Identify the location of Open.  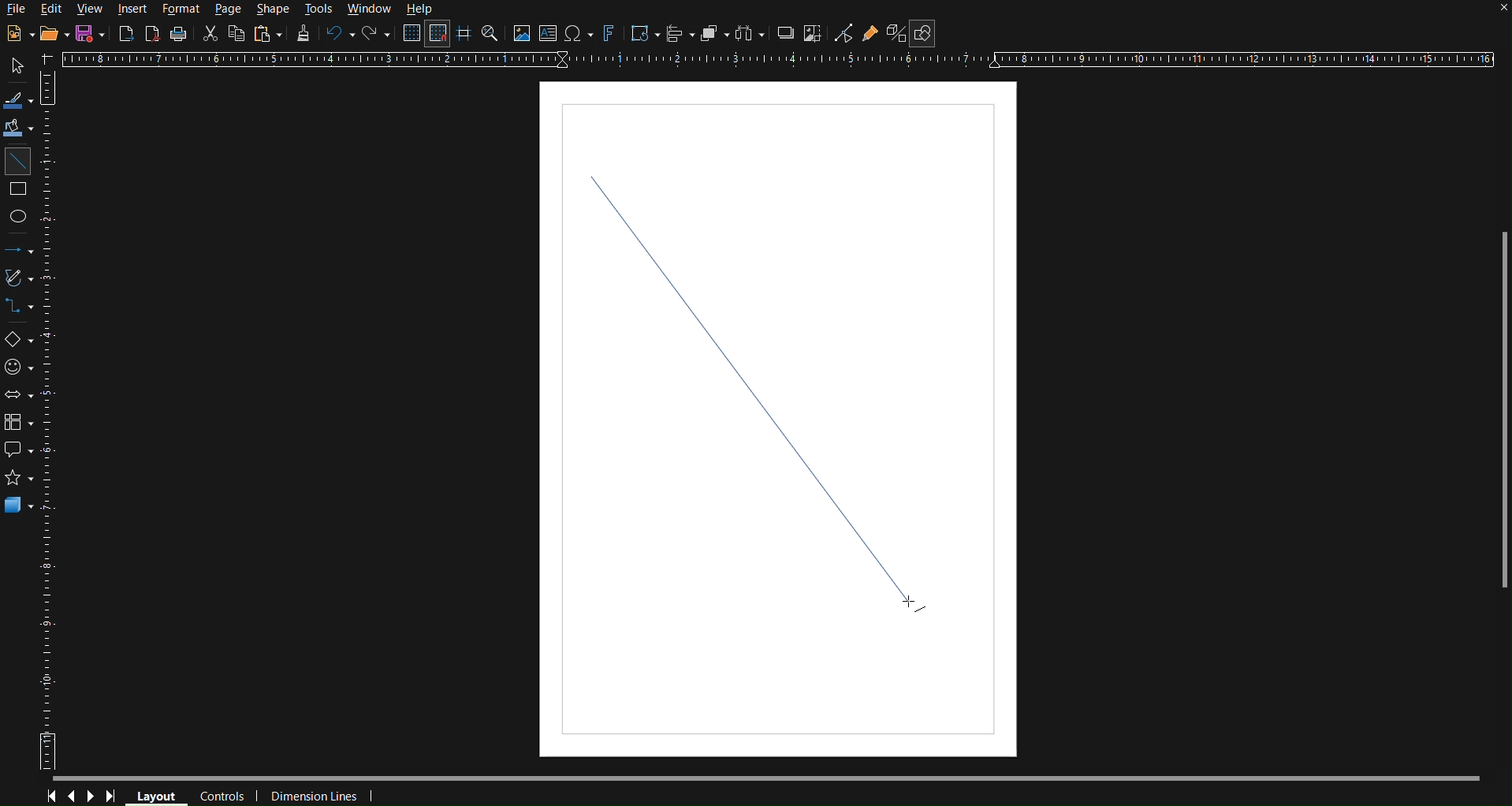
(50, 34).